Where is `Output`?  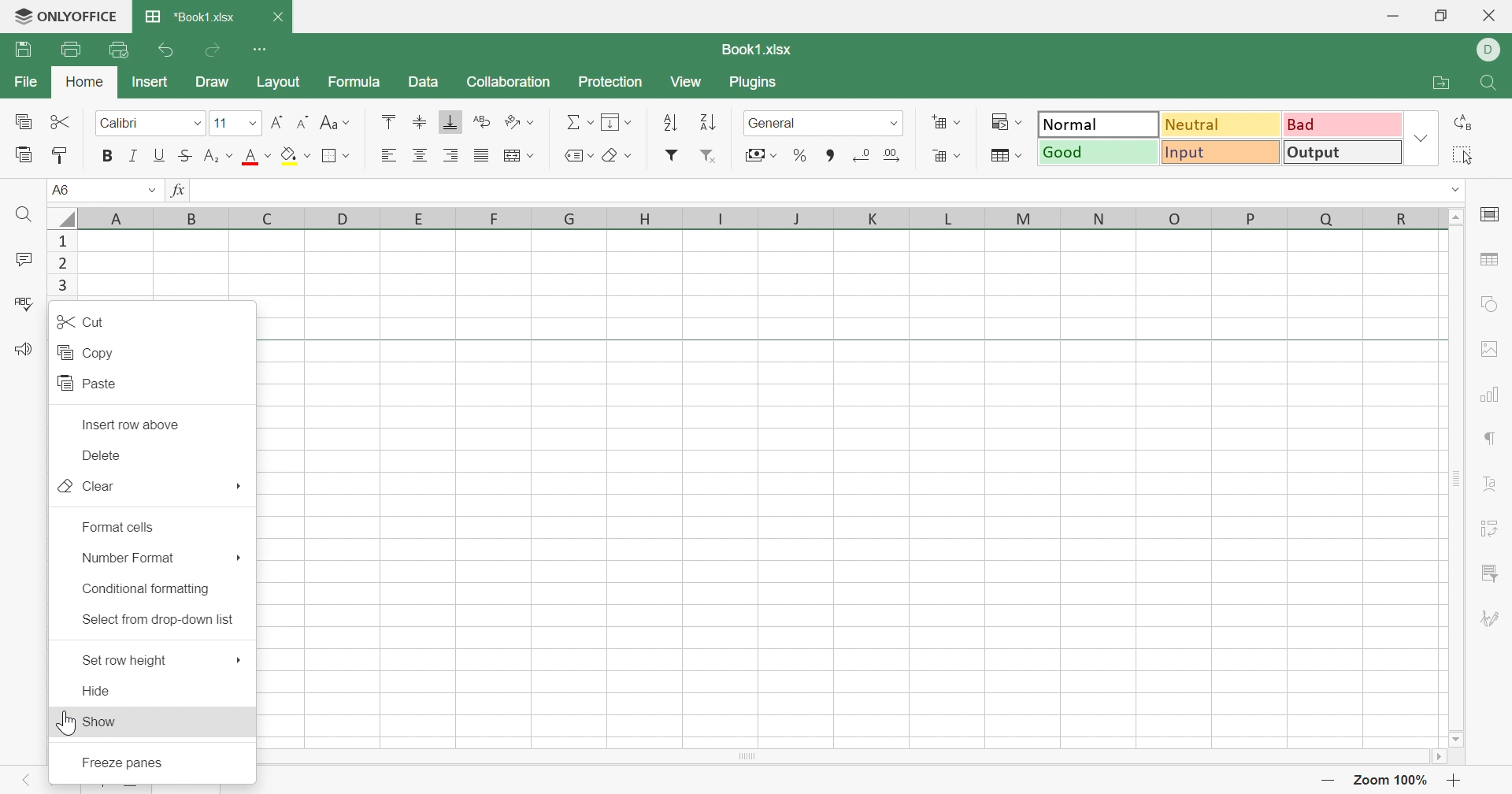
Output is located at coordinates (1341, 153).